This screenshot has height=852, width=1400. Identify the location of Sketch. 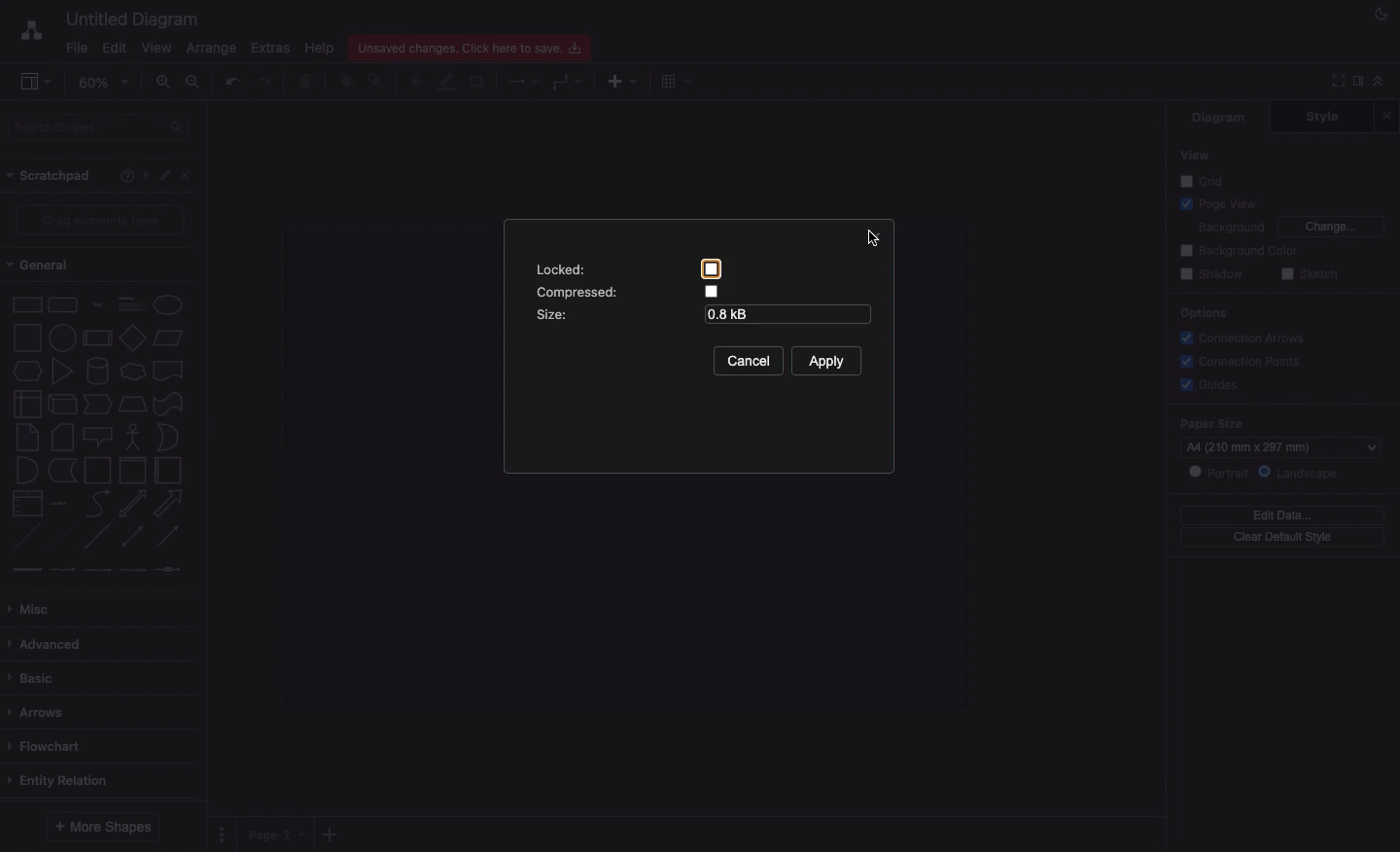
(1308, 275).